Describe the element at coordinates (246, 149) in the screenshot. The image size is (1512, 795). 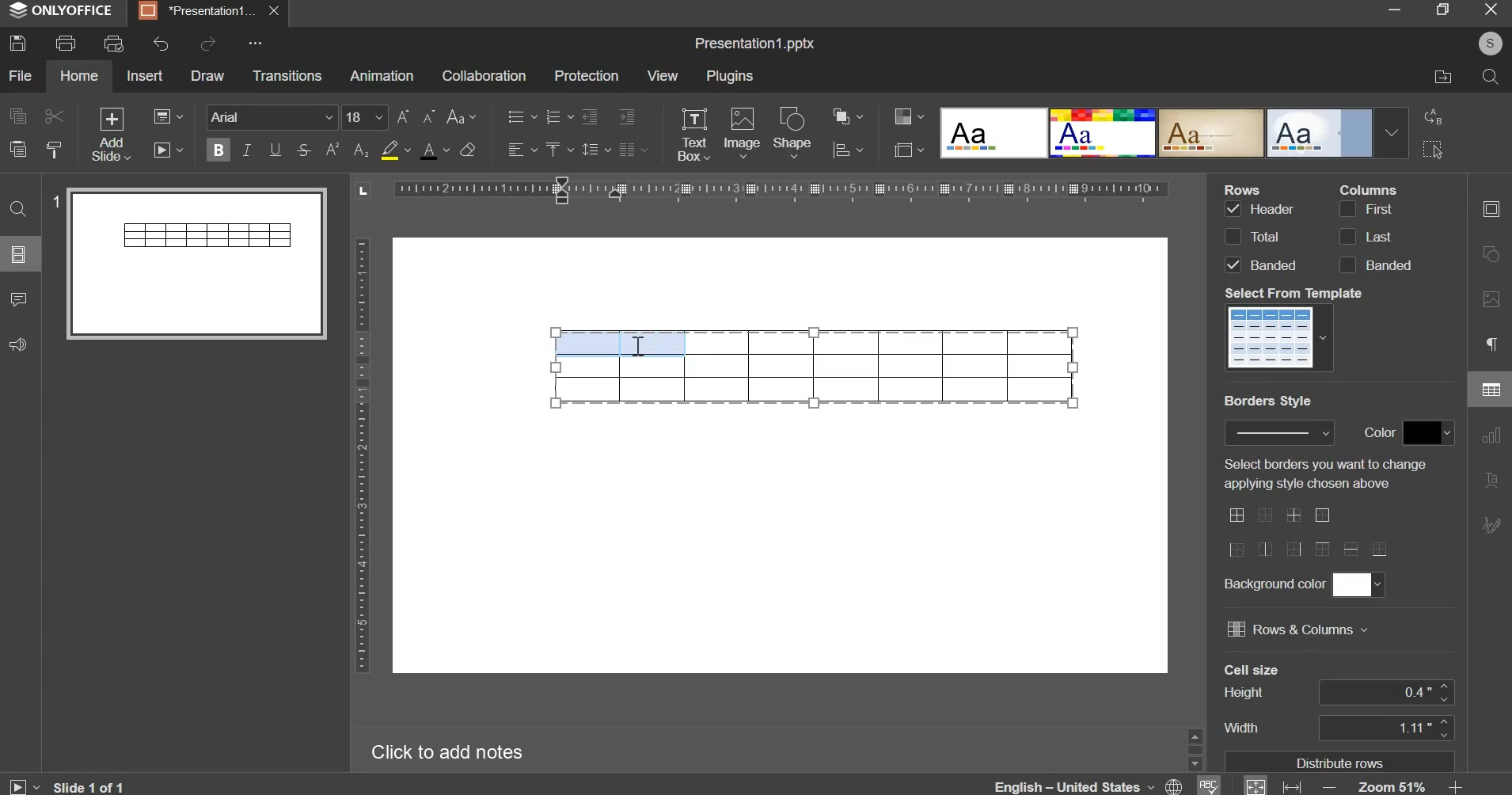
I see `italics` at that location.